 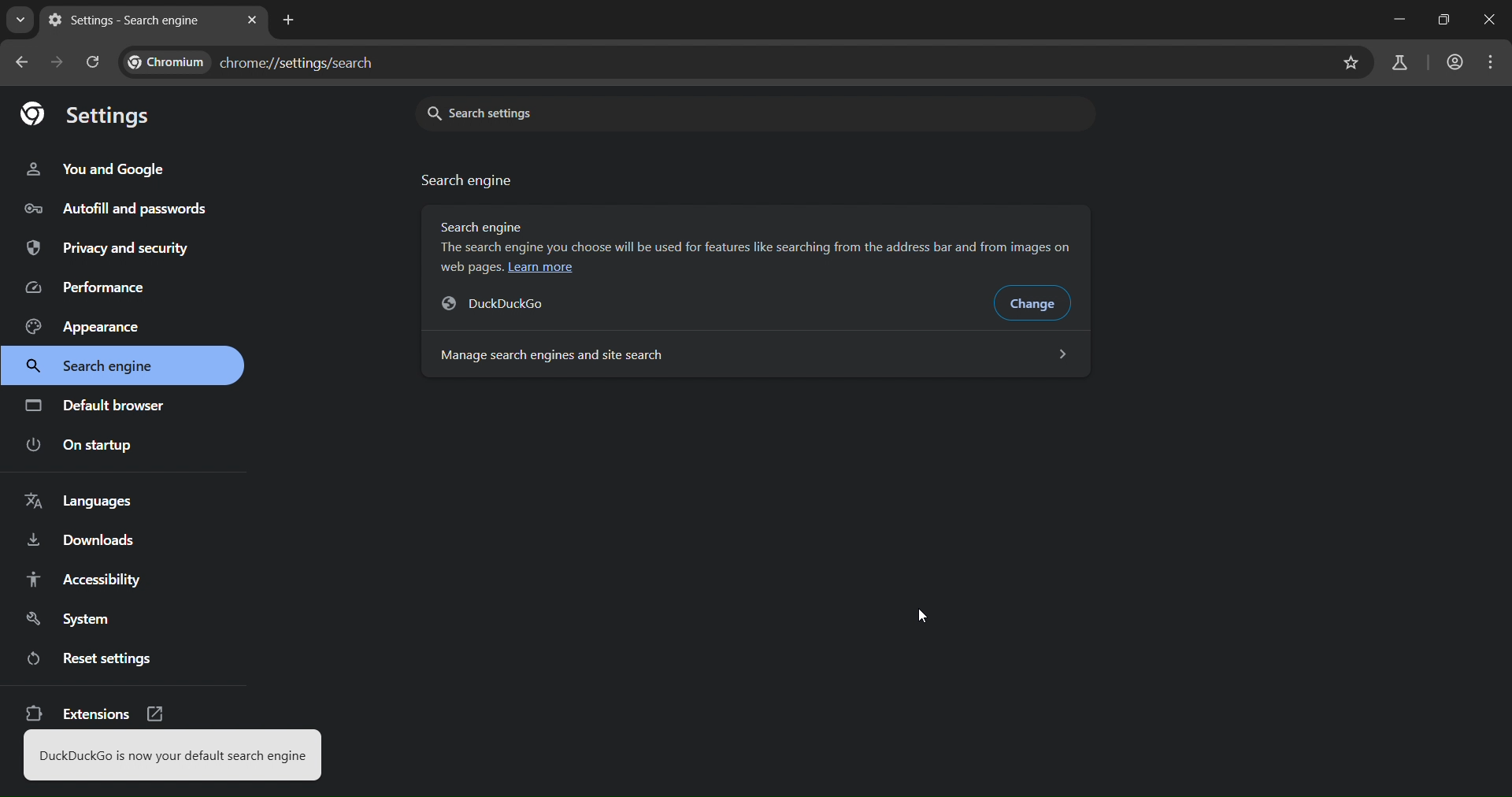 I want to click on reset settings, so click(x=94, y=658).